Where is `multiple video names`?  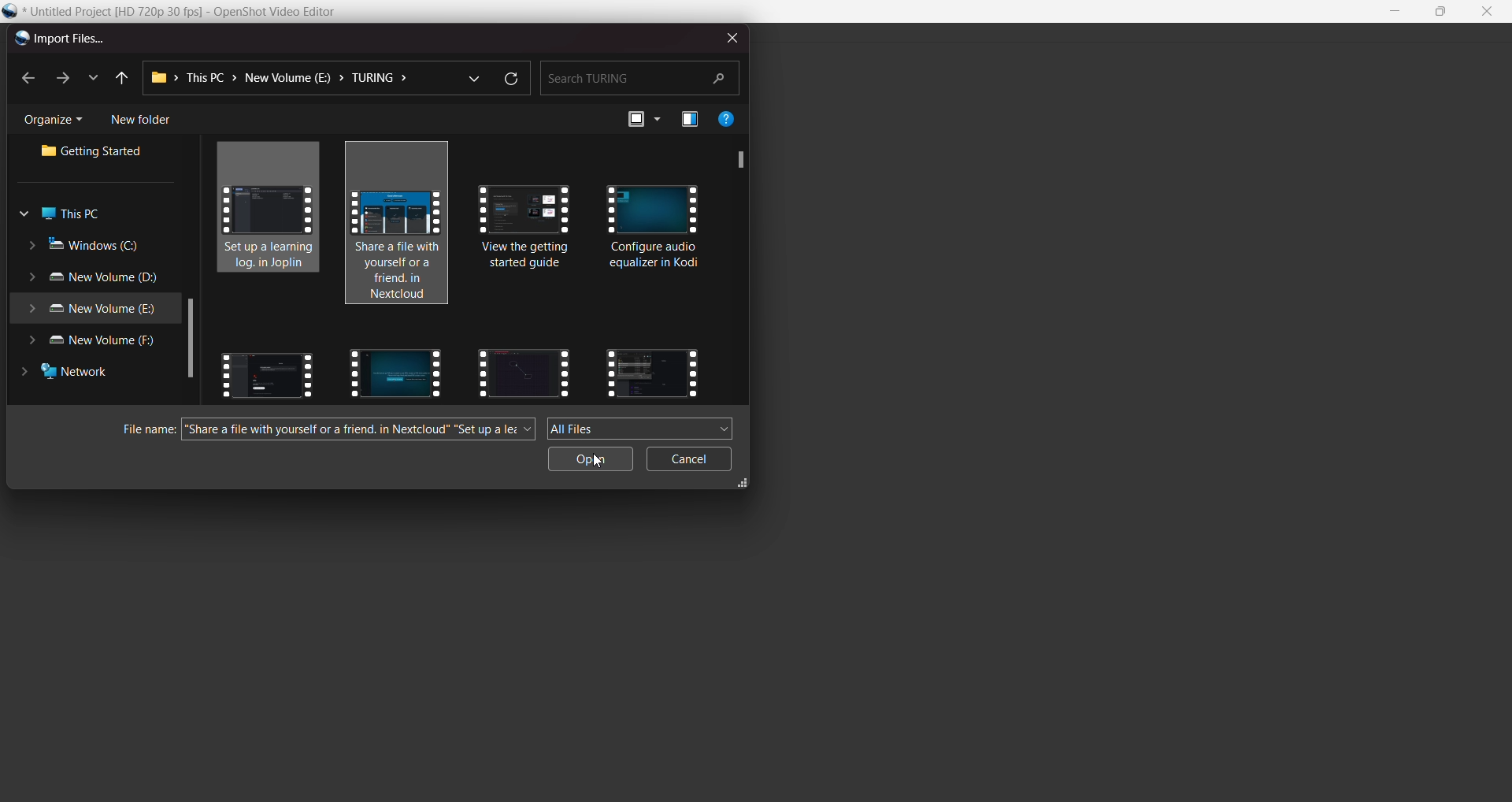
multiple video names is located at coordinates (360, 430).